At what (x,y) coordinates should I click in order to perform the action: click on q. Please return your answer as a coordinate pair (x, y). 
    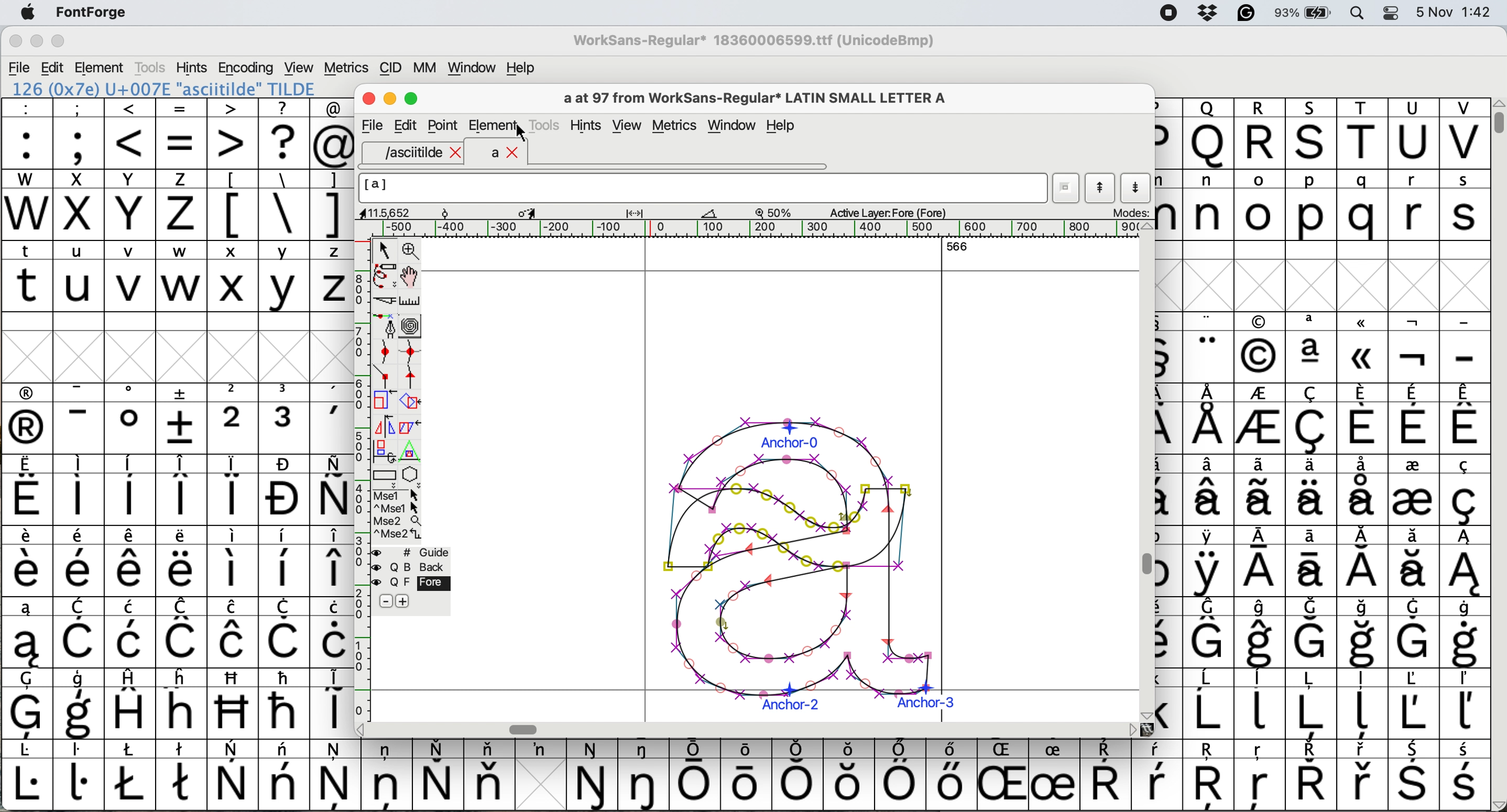
    Looking at the image, I should click on (1365, 206).